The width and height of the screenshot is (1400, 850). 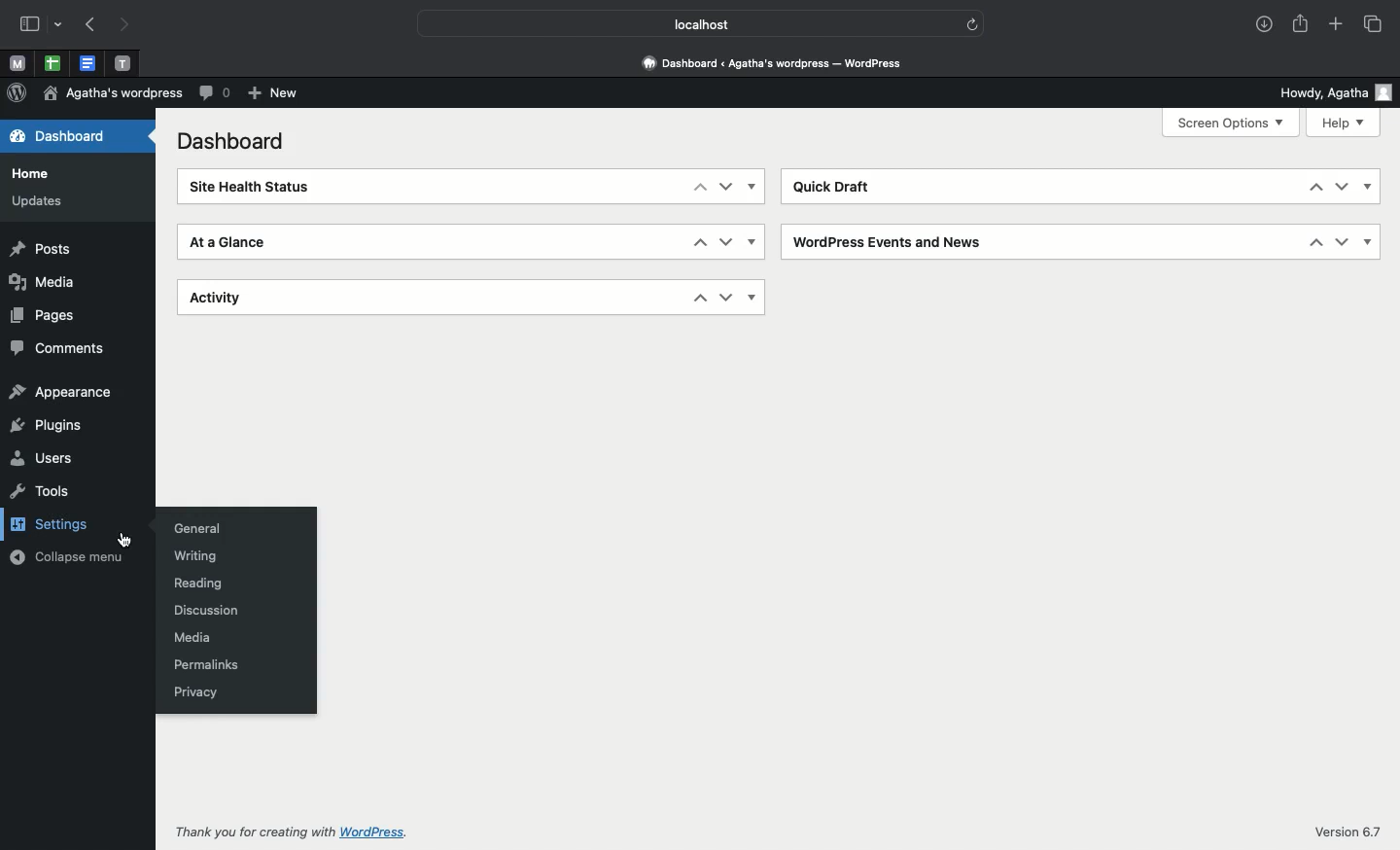 I want to click on New, so click(x=276, y=94).